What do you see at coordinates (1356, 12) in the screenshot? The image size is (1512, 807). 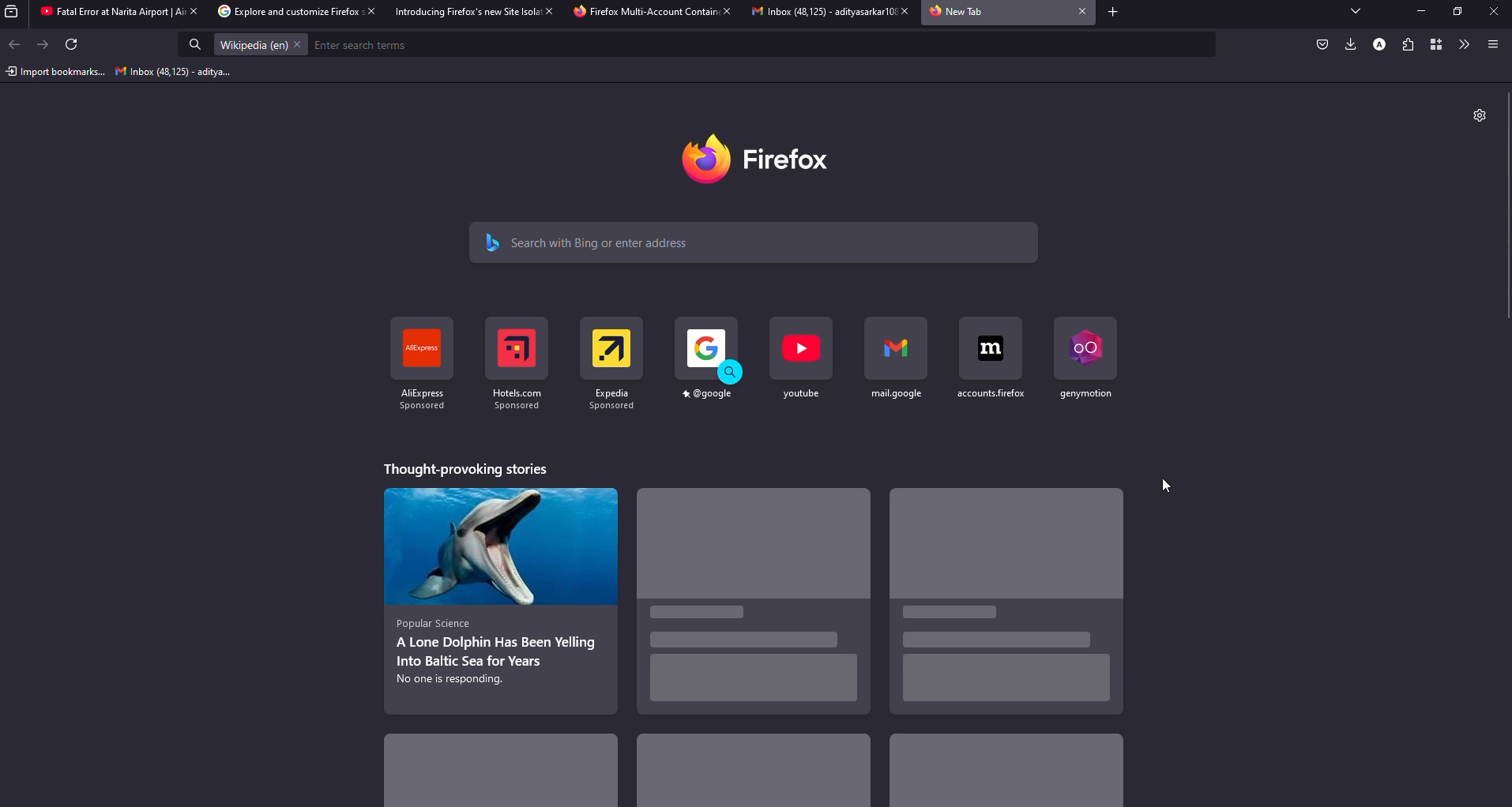 I see `tabs` at bounding box center [1356, 12].